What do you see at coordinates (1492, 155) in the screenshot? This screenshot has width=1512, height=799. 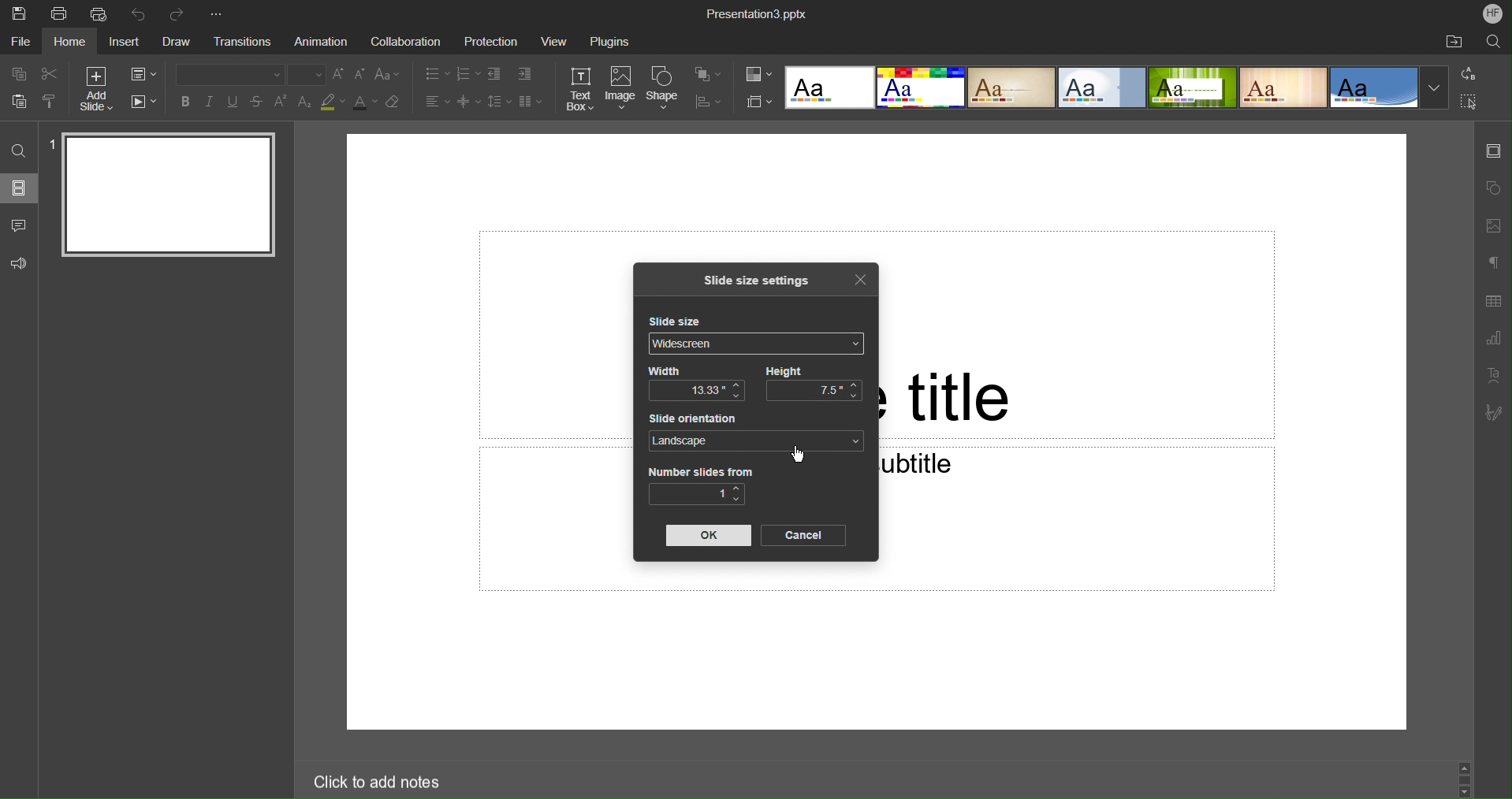 I see `Slide Settings` at bounding box center [1492, 155].